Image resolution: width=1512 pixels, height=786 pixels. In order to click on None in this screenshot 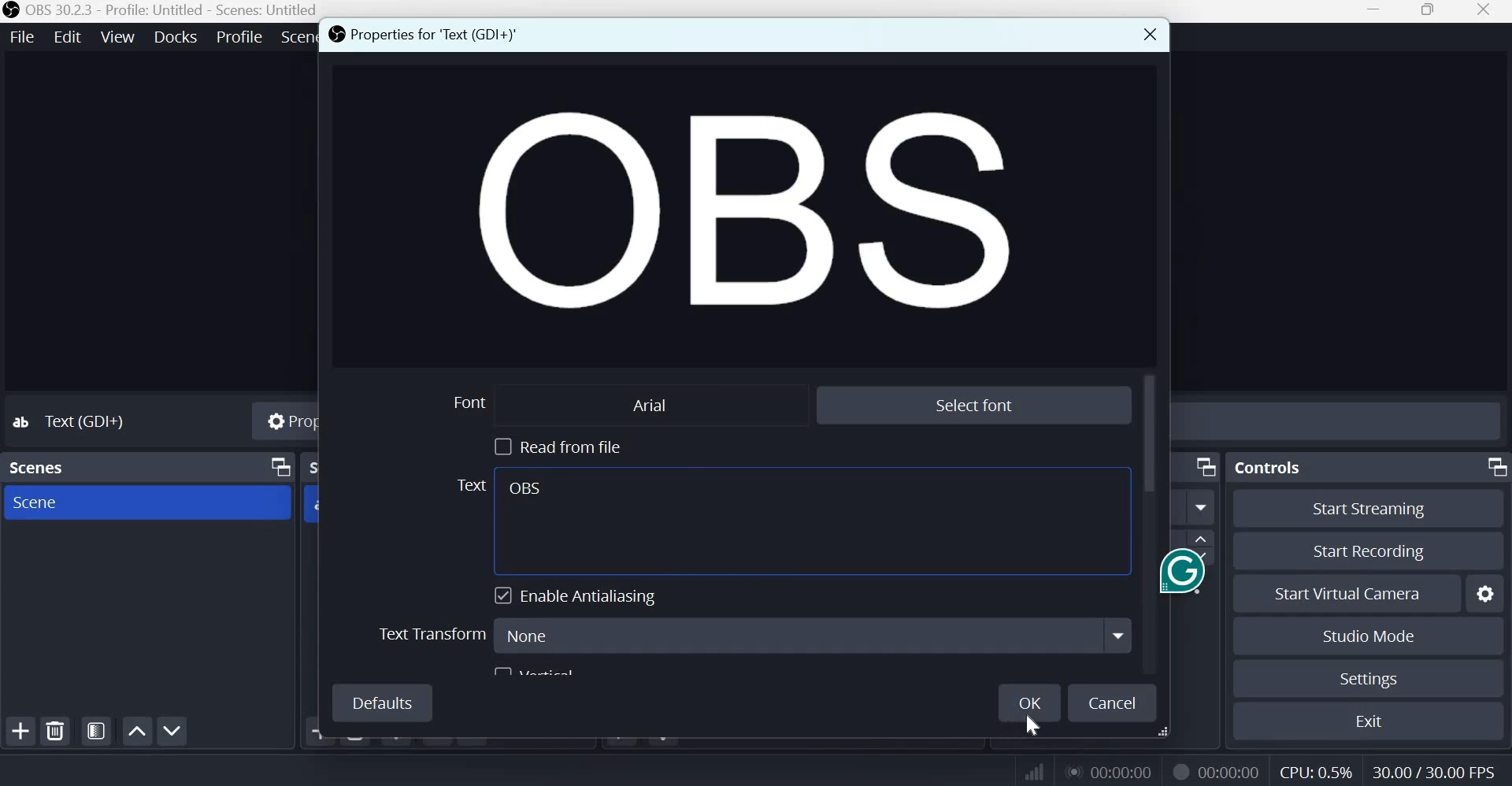, I will do `click(812, 633)`.